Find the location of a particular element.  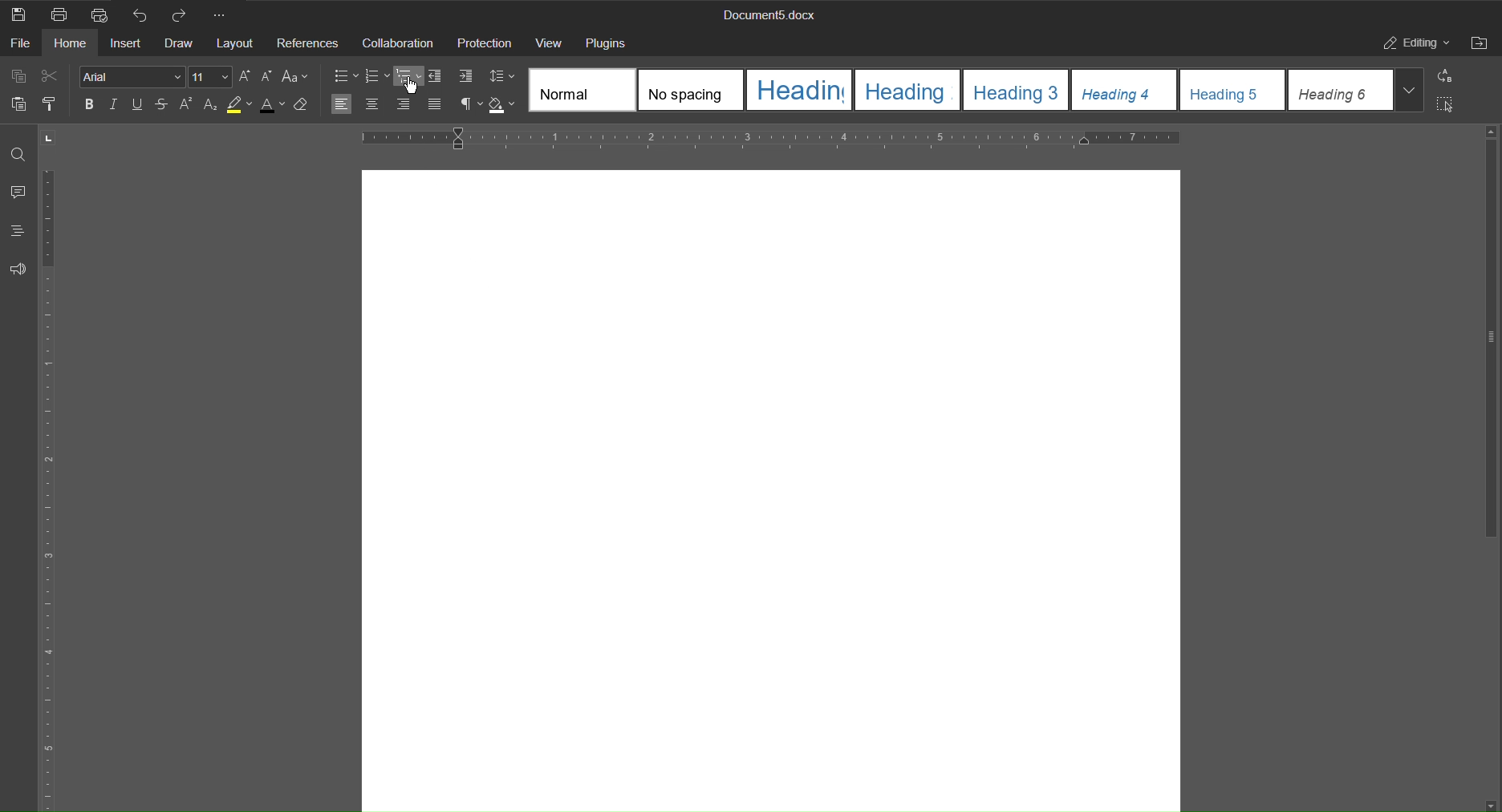

Editing is located at coordinates (1413, 43).